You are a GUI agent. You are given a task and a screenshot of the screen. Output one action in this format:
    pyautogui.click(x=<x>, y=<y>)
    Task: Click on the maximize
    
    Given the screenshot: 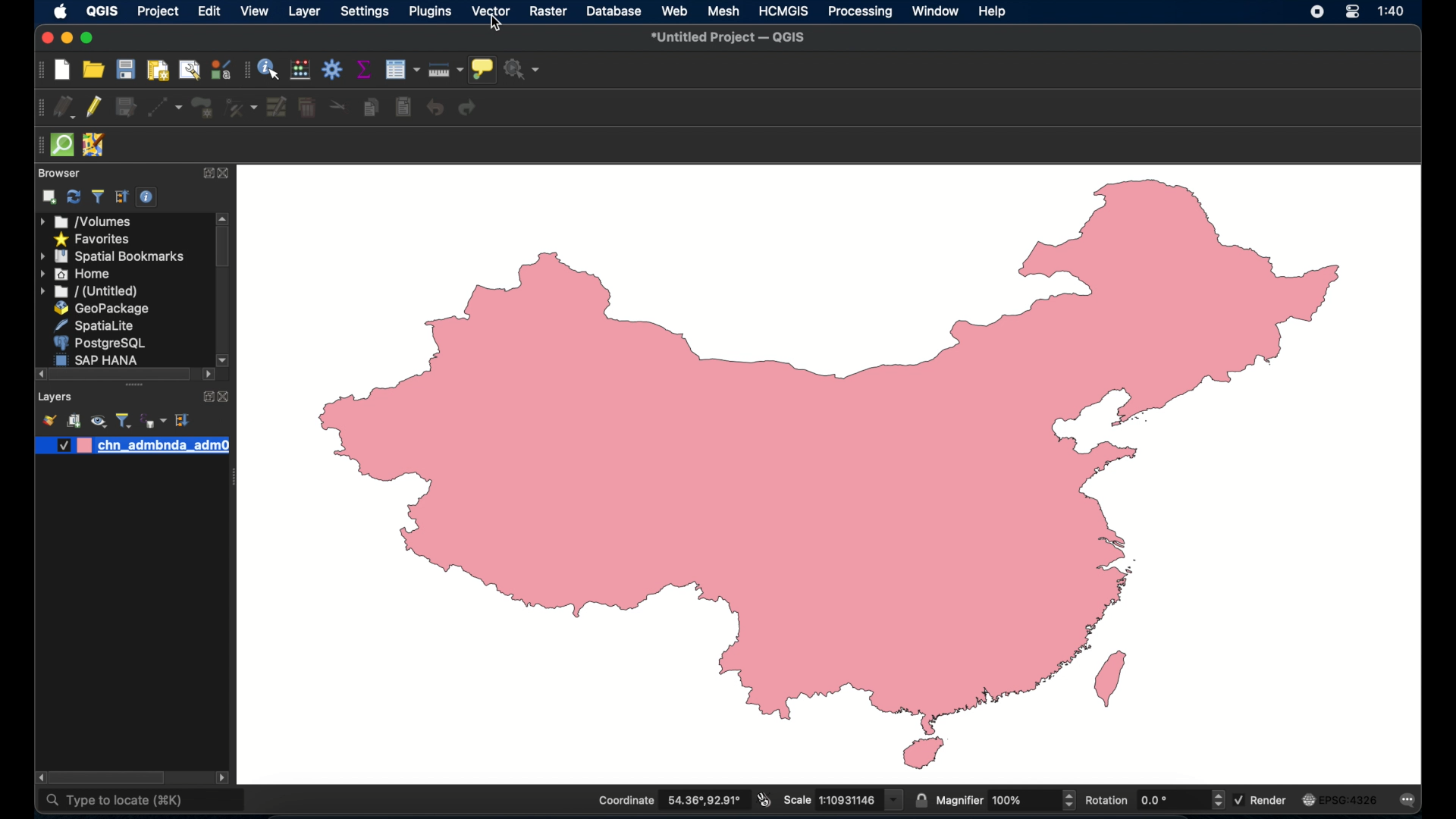 What is the action you would take?
    pyautogui.click(x=89, y=38)
    